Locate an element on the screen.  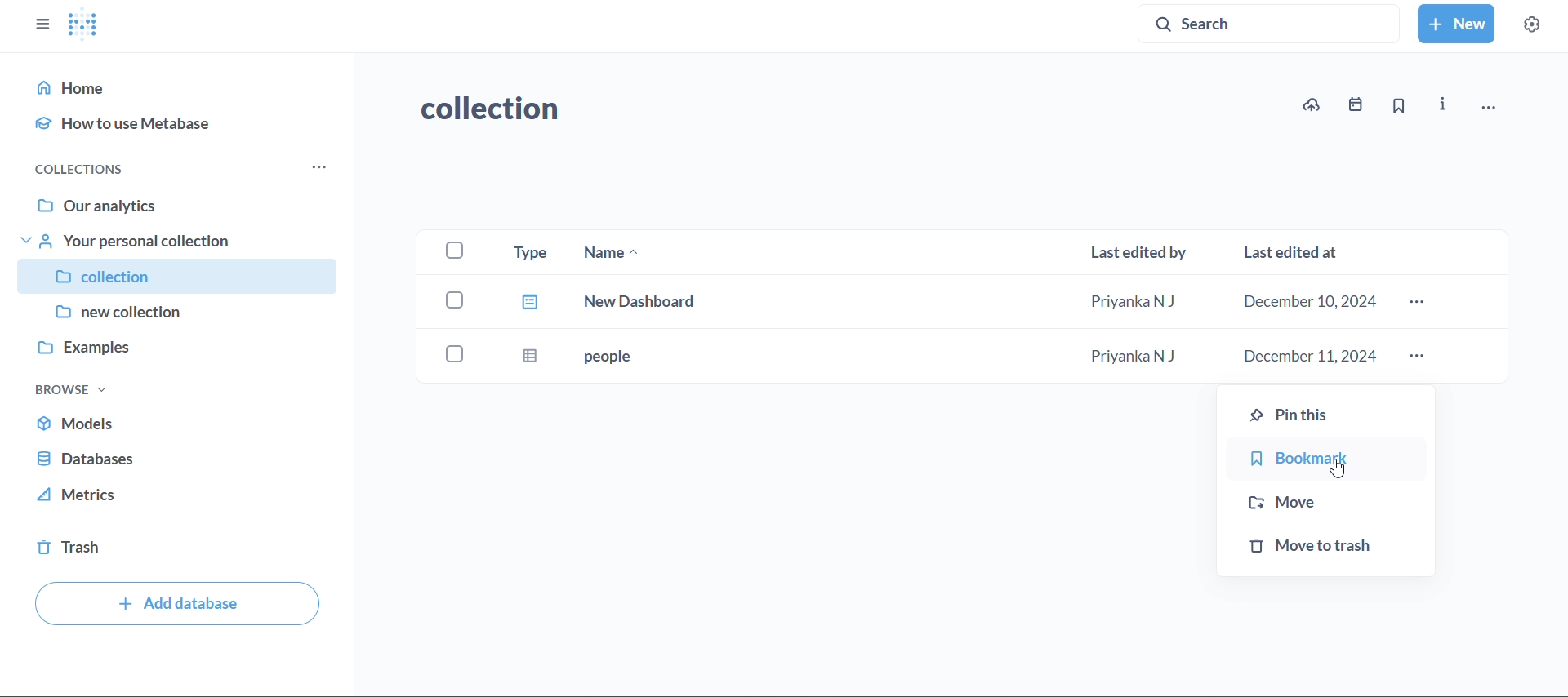
settings is located at coordinates (1532, 22).